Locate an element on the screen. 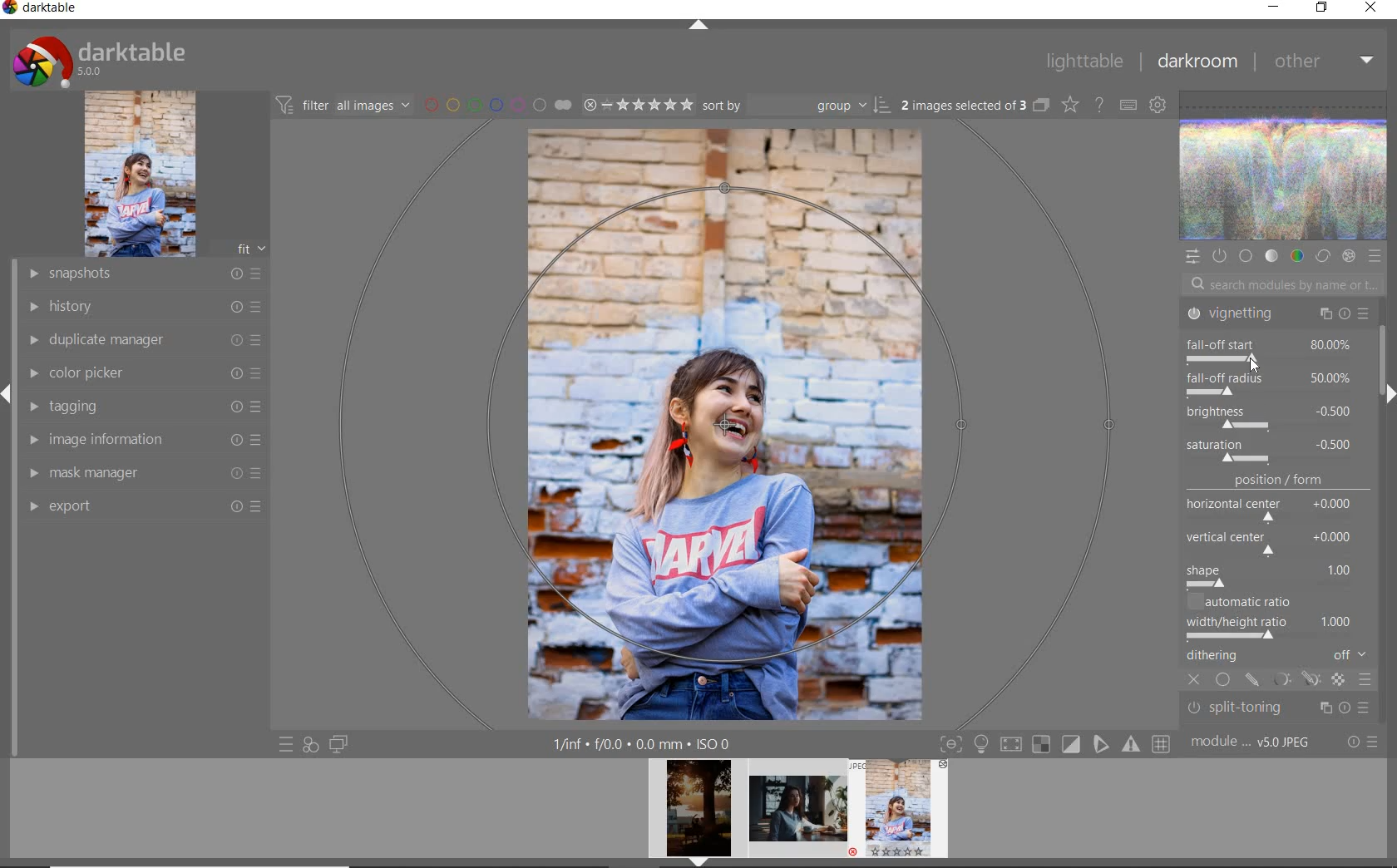 The image size is (1397, 868). brightness is located at coordinates (1270, 416).